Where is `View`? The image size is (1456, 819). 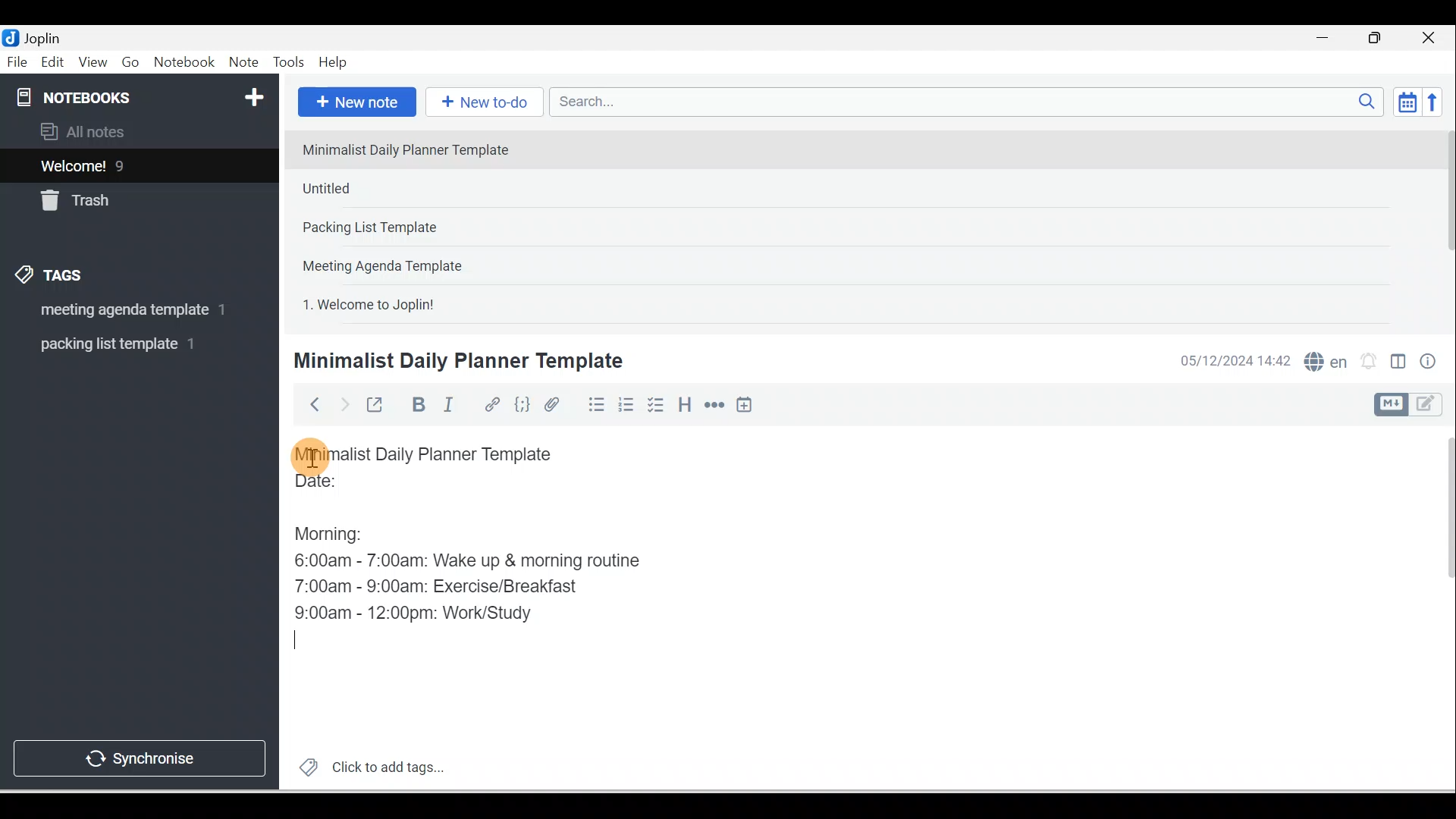 View is located at coordinates (93, 63).